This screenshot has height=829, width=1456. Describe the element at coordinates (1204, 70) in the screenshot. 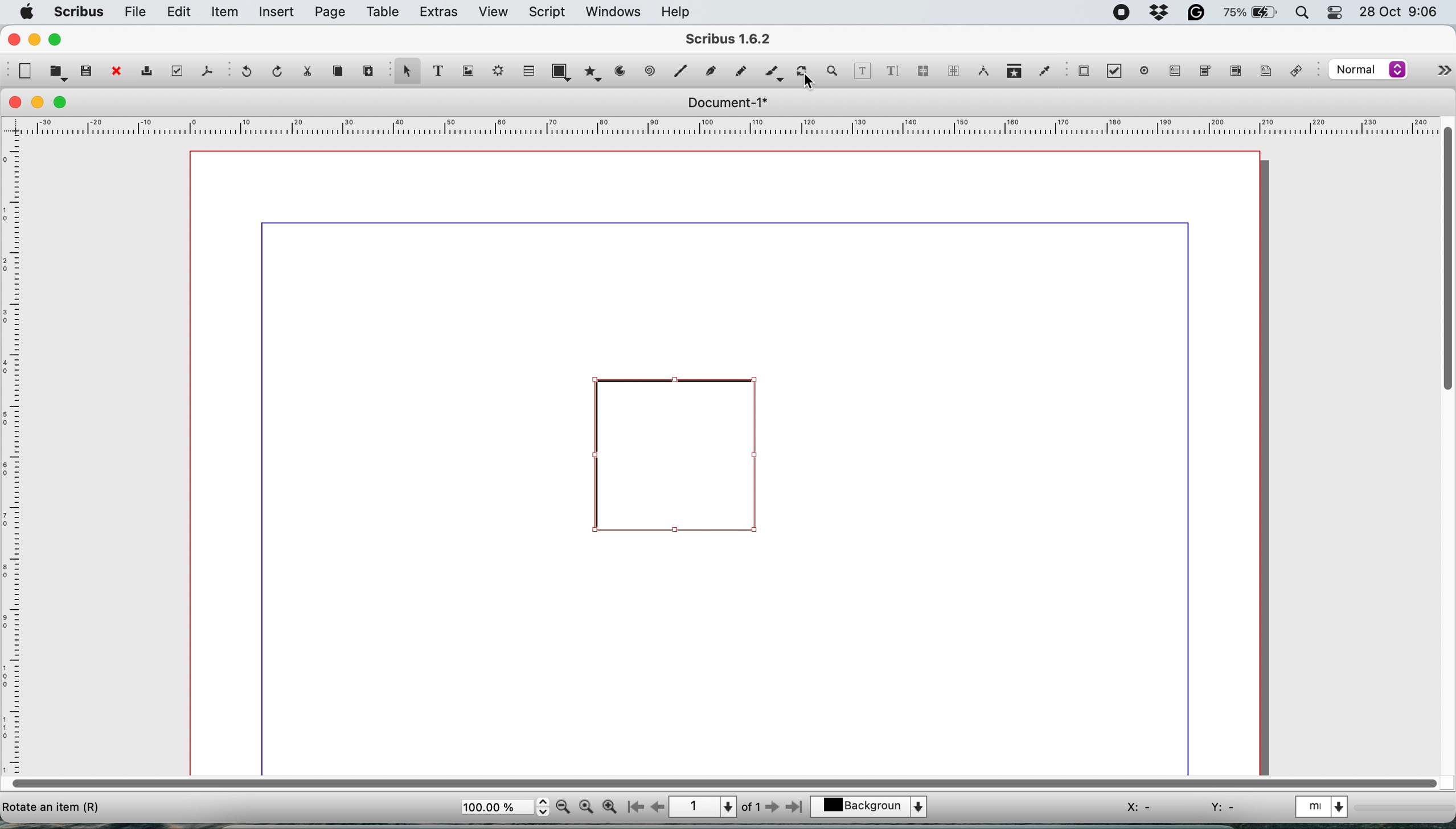

I see `pdf combo box` at that location.